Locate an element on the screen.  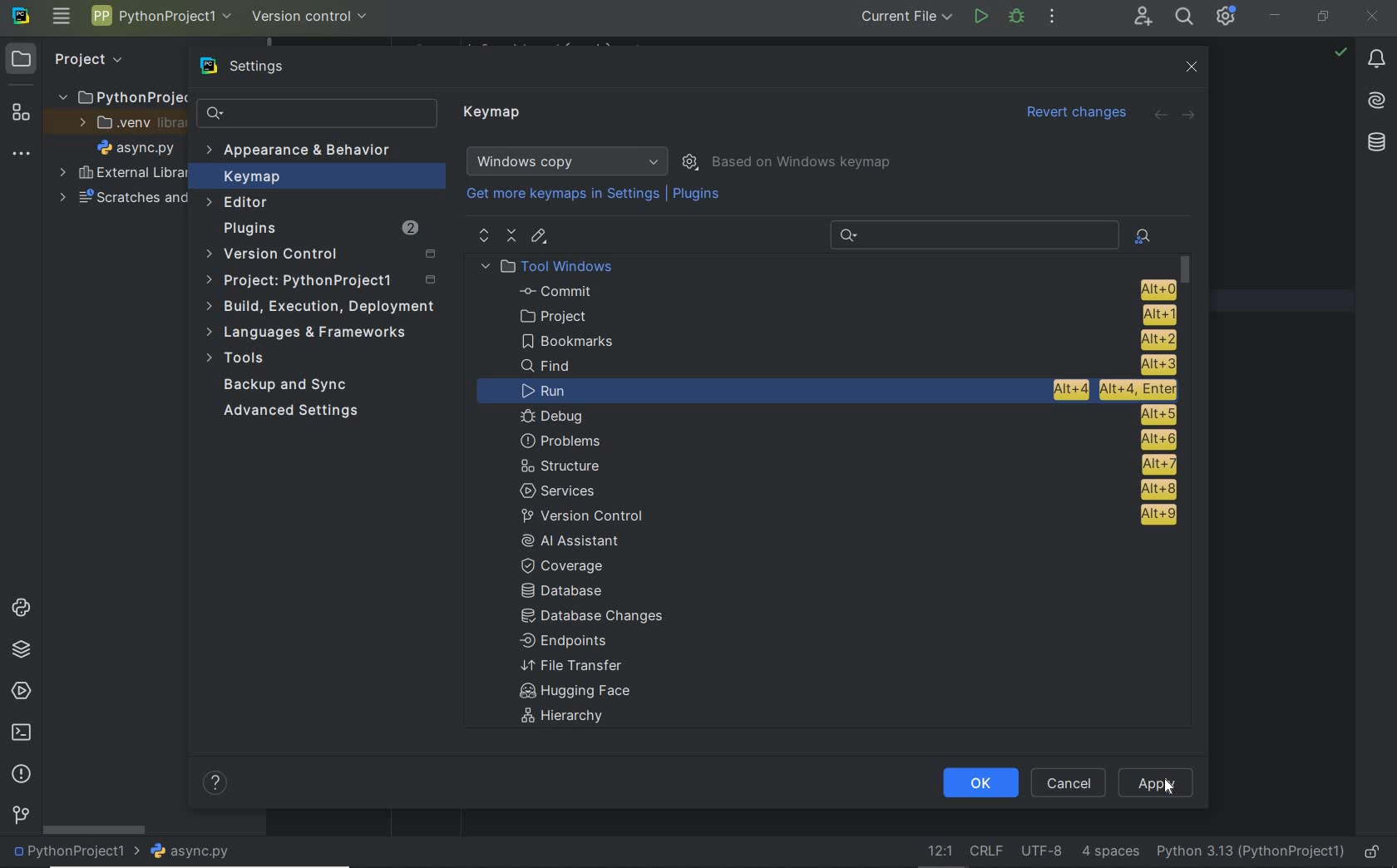
more actions is located at coordinates (1052, 17).